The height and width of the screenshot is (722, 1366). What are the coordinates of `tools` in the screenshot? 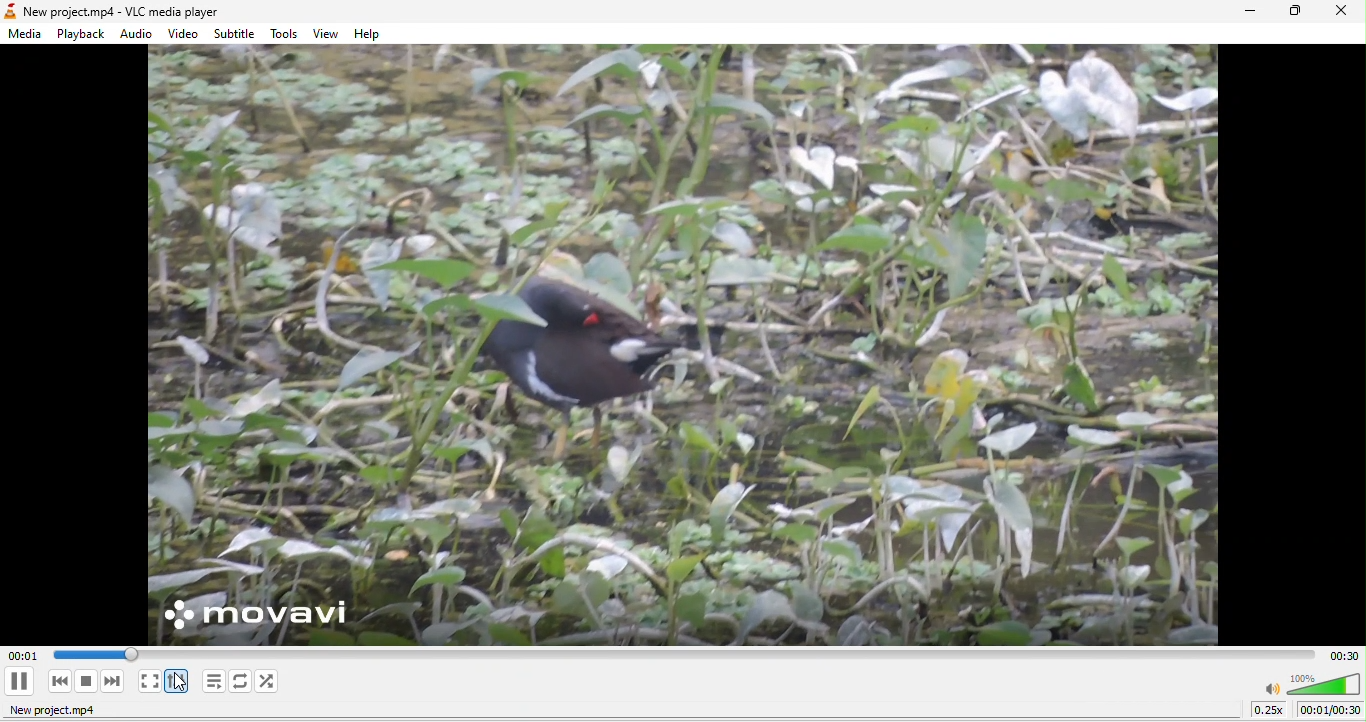 It's located at (286, 35).